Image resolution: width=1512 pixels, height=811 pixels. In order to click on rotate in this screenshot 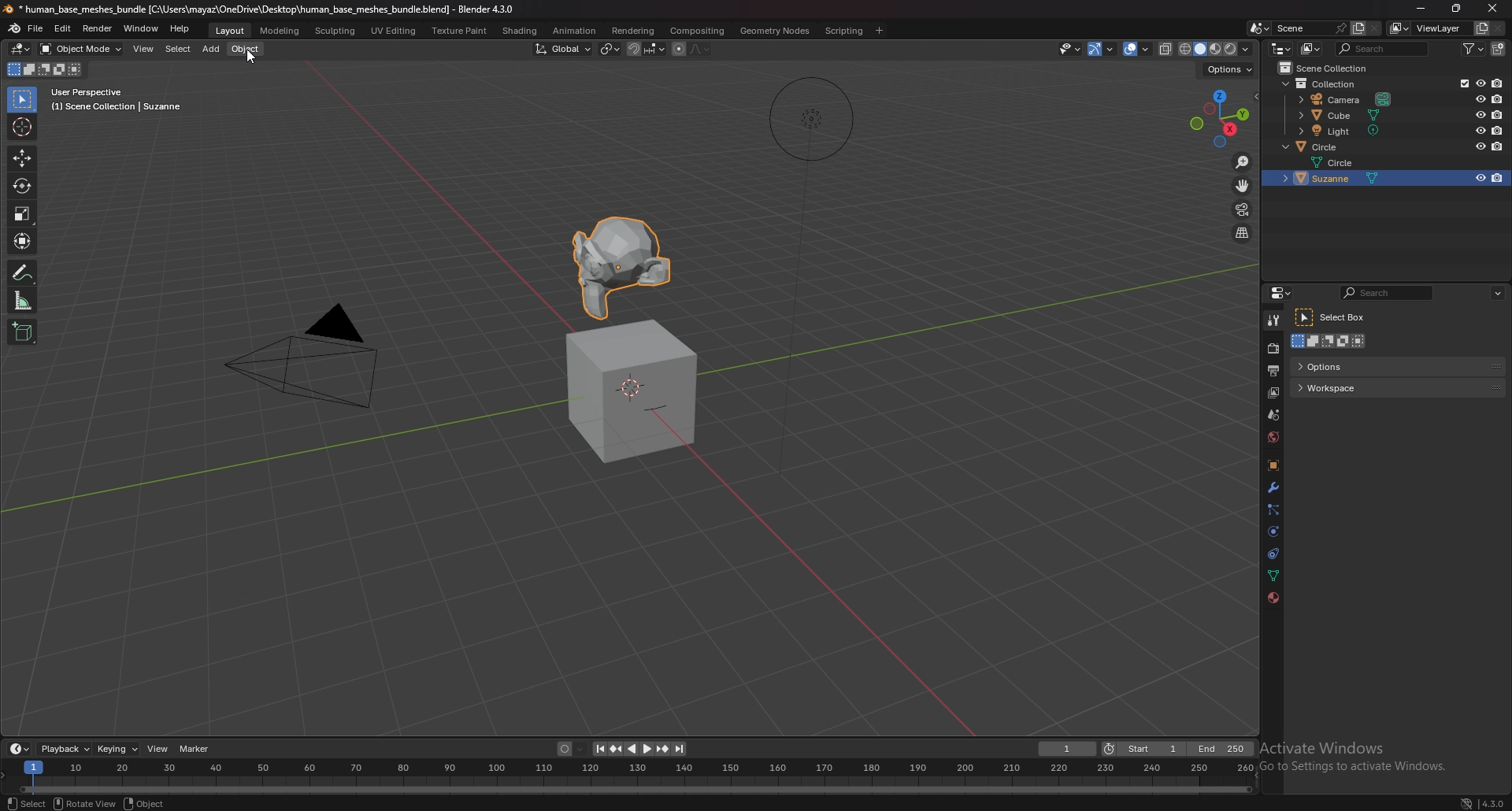, I will do `click(23, 185)`.